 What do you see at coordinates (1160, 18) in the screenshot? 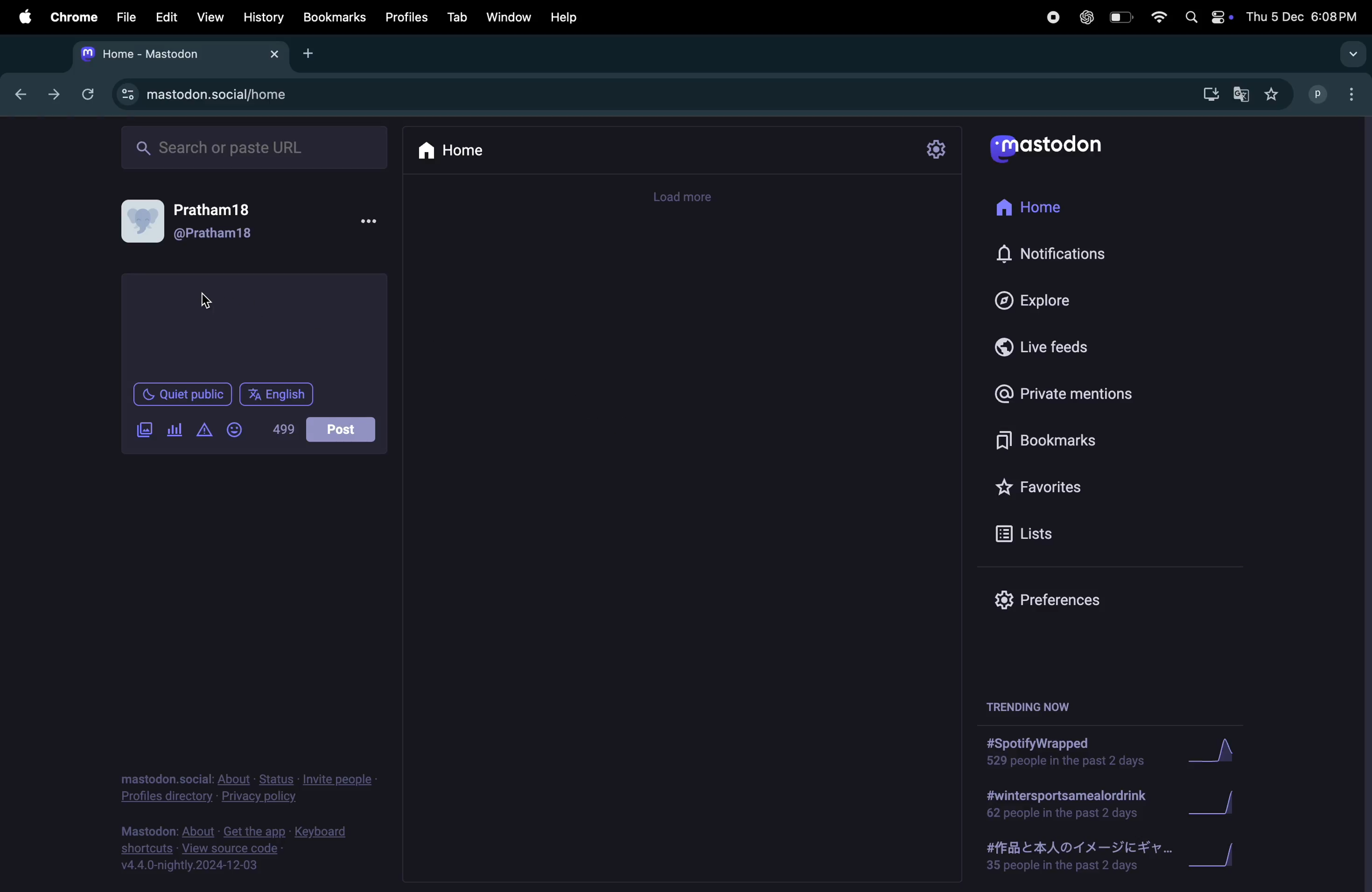
I see `wifi` at bounding box center [1160, 18].